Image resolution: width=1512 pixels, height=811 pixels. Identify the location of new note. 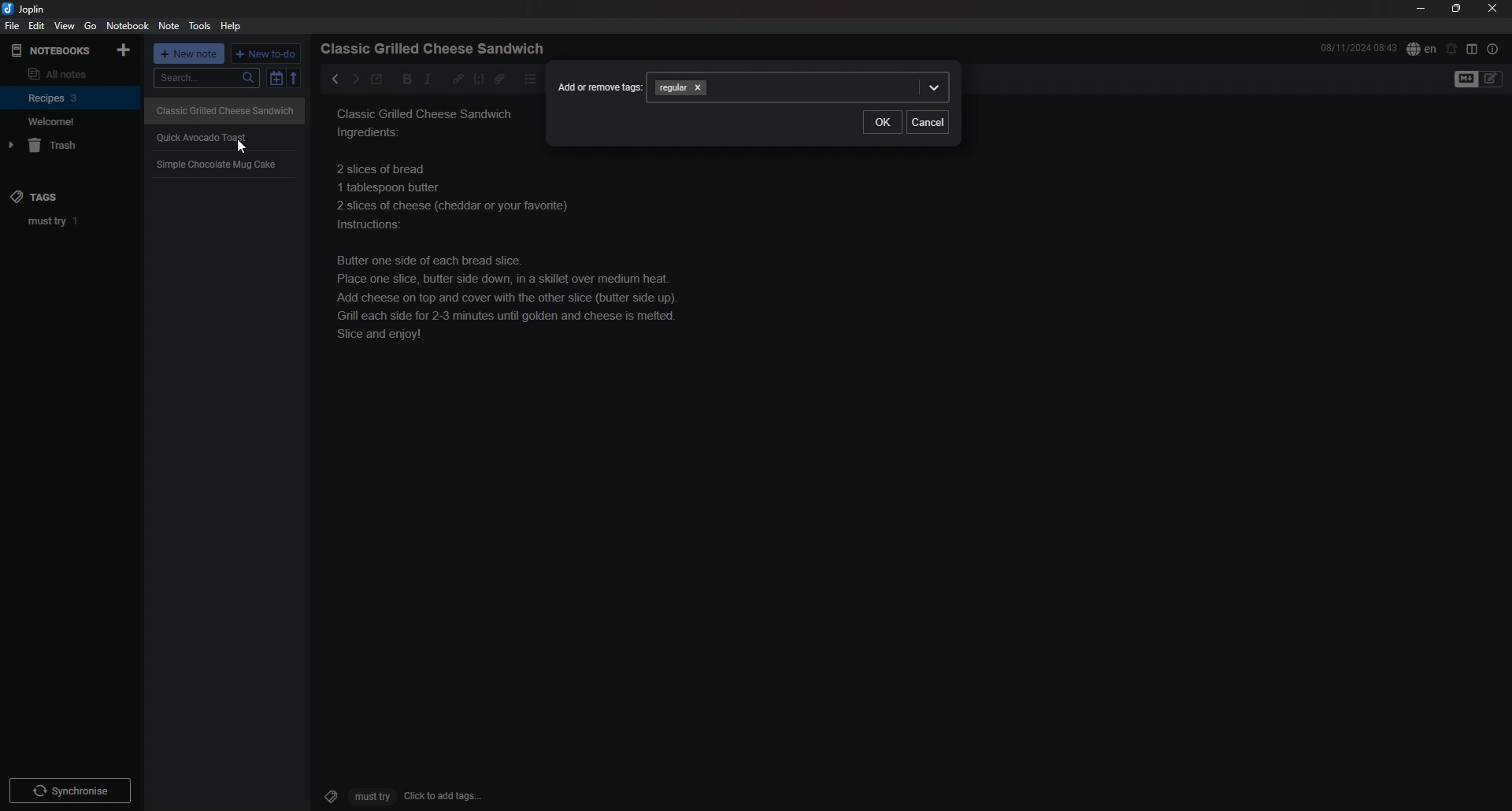
(191, 55).